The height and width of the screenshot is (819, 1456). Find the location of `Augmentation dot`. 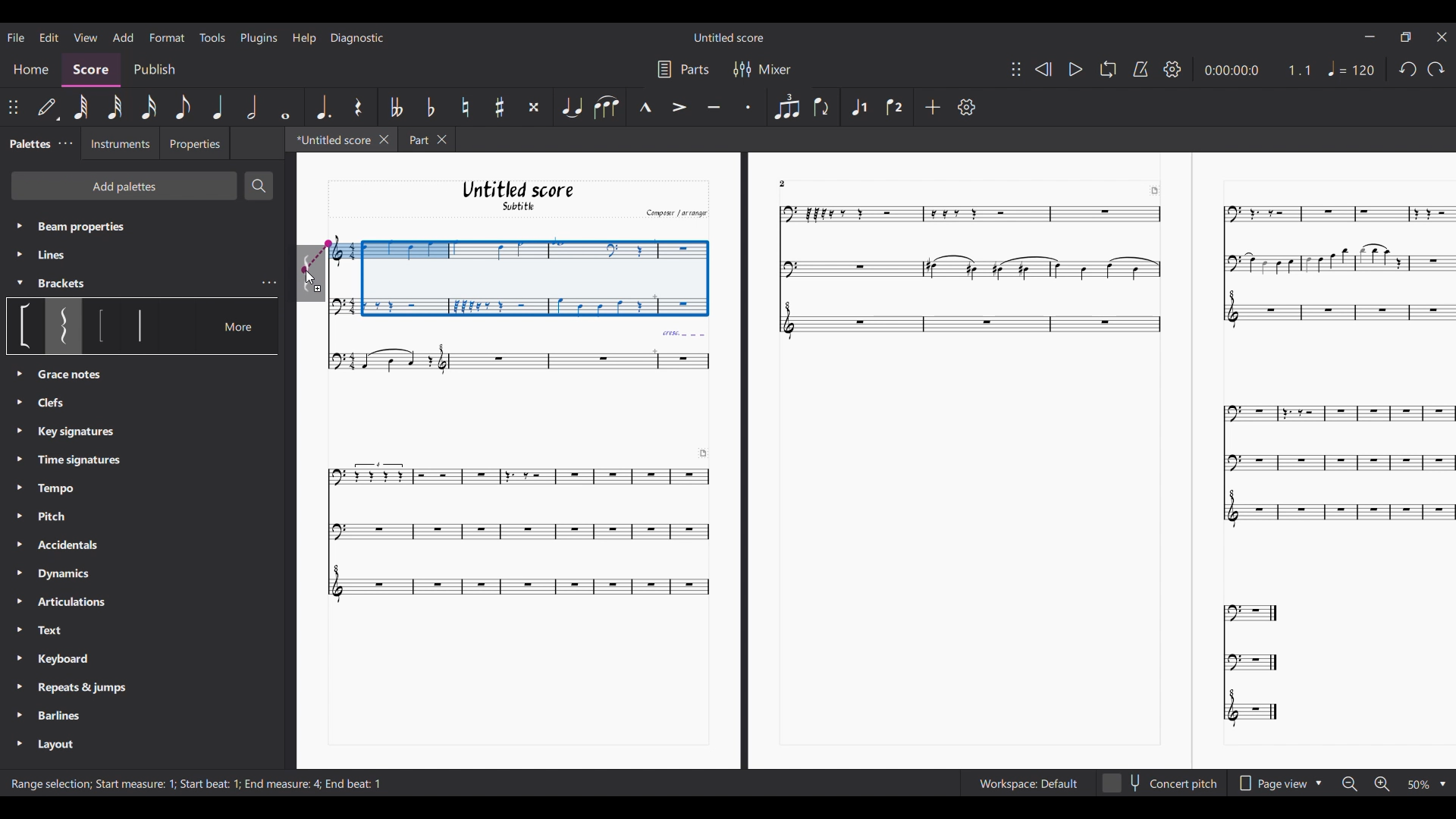

Augmentation dot is located at coordinates (322, 107).